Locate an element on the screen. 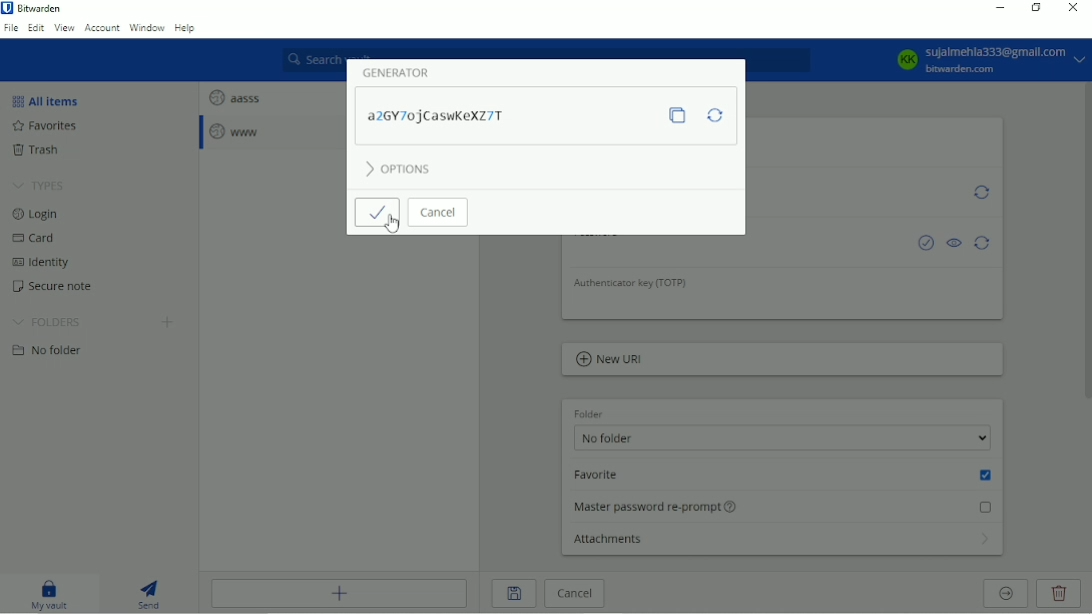 The width and height of the screenshot is (1092, 614). Attachments is located at coordinates (784, 543).